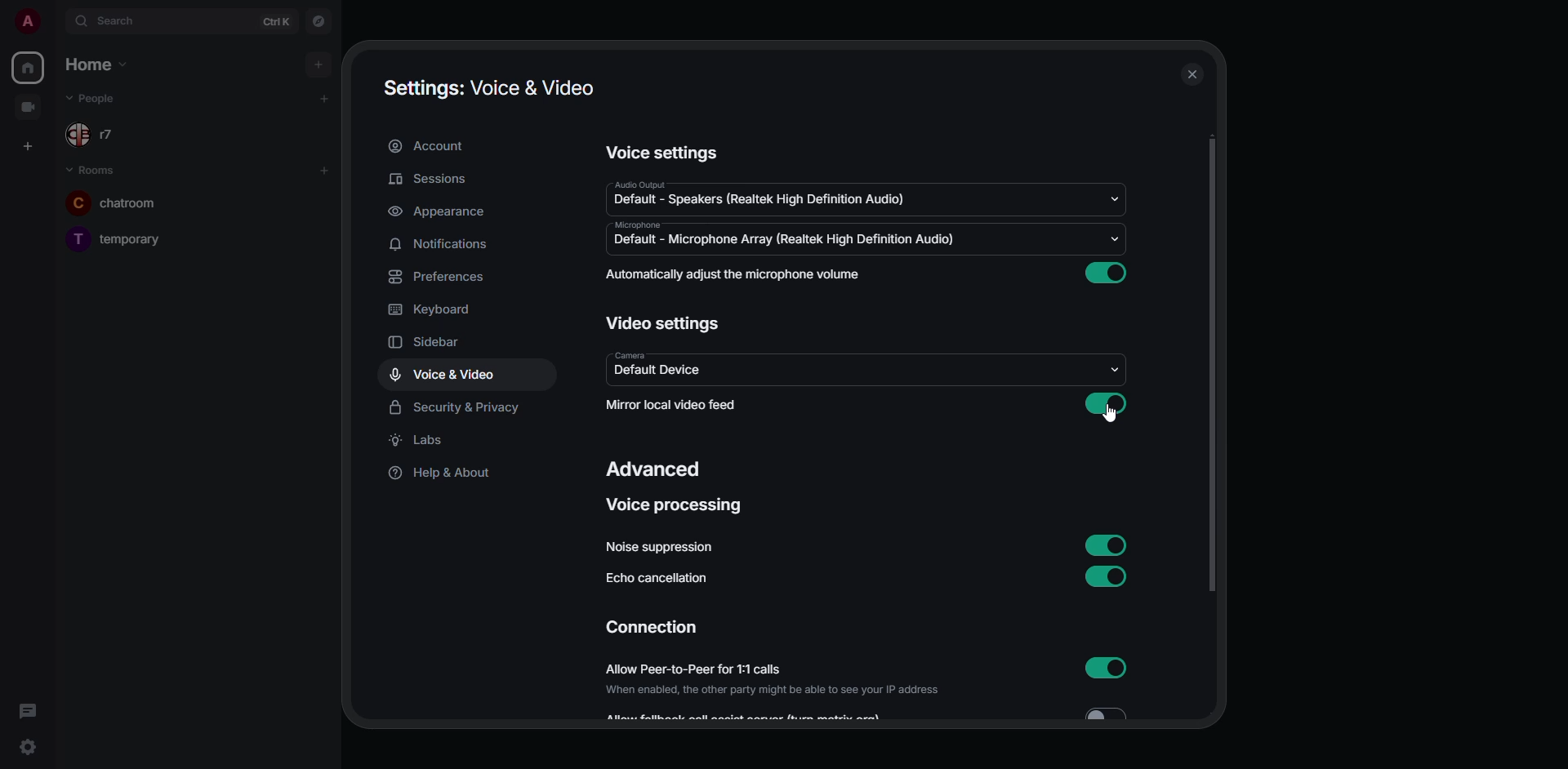 This screenshot has height=769, width=1568. Describe the element at coordinates (25, 147) in the screenshot. I see `create space` at that location.